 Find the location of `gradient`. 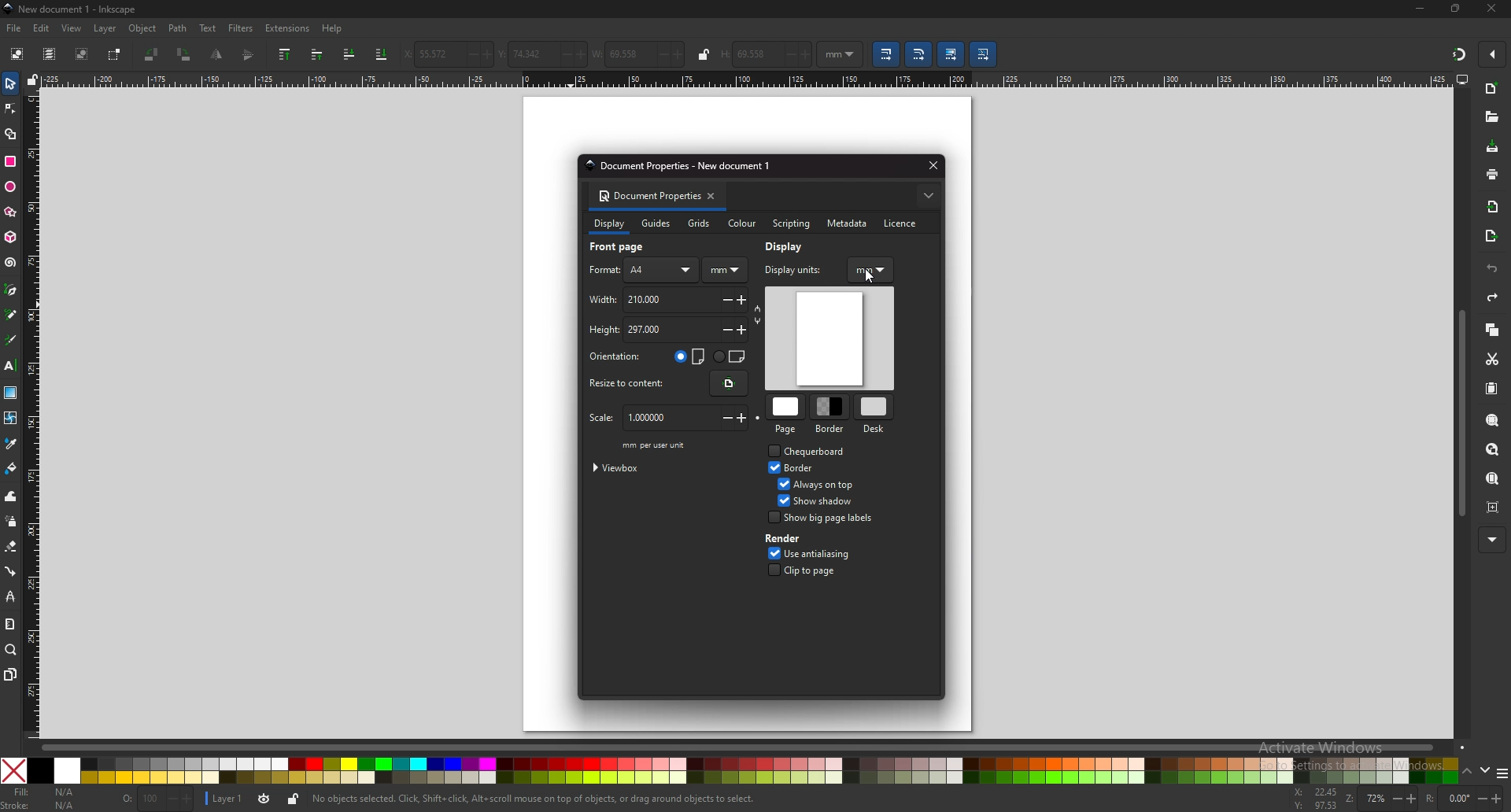

gradient is located at coordinates (10, 391).